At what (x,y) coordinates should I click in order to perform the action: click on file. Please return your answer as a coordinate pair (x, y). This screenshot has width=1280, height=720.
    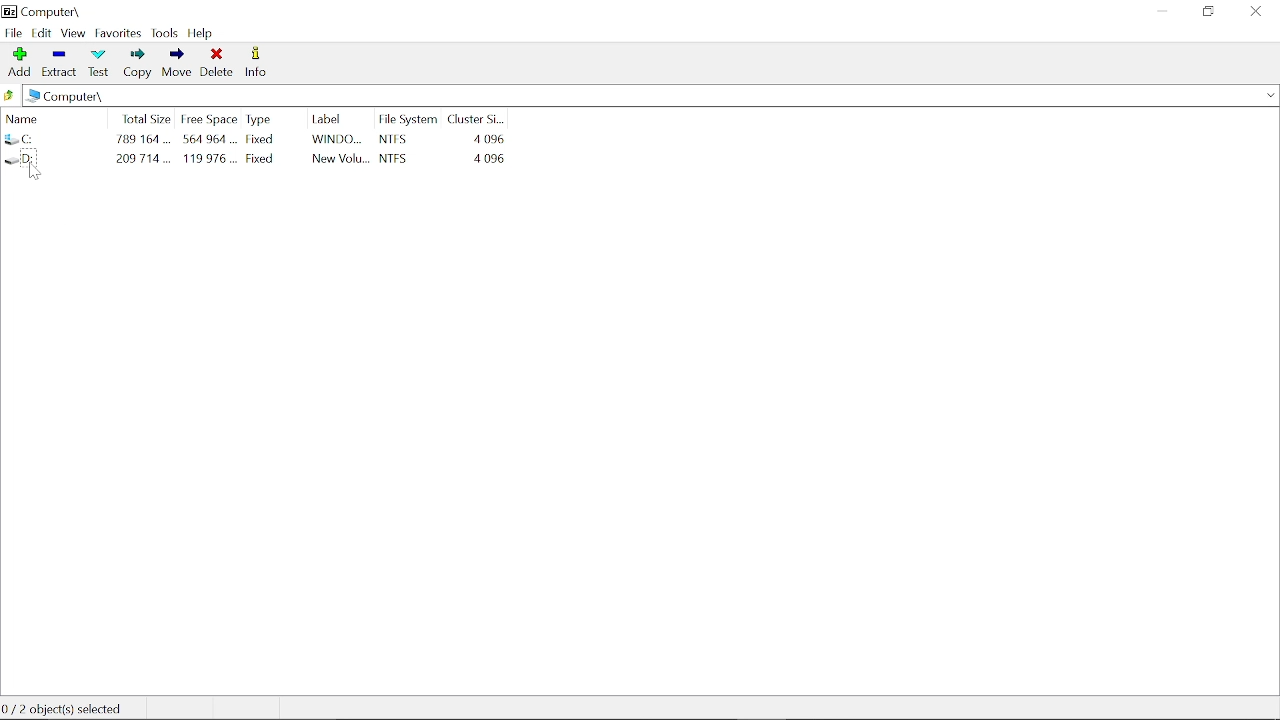
    Looking at the image, I should click on (14, 32).